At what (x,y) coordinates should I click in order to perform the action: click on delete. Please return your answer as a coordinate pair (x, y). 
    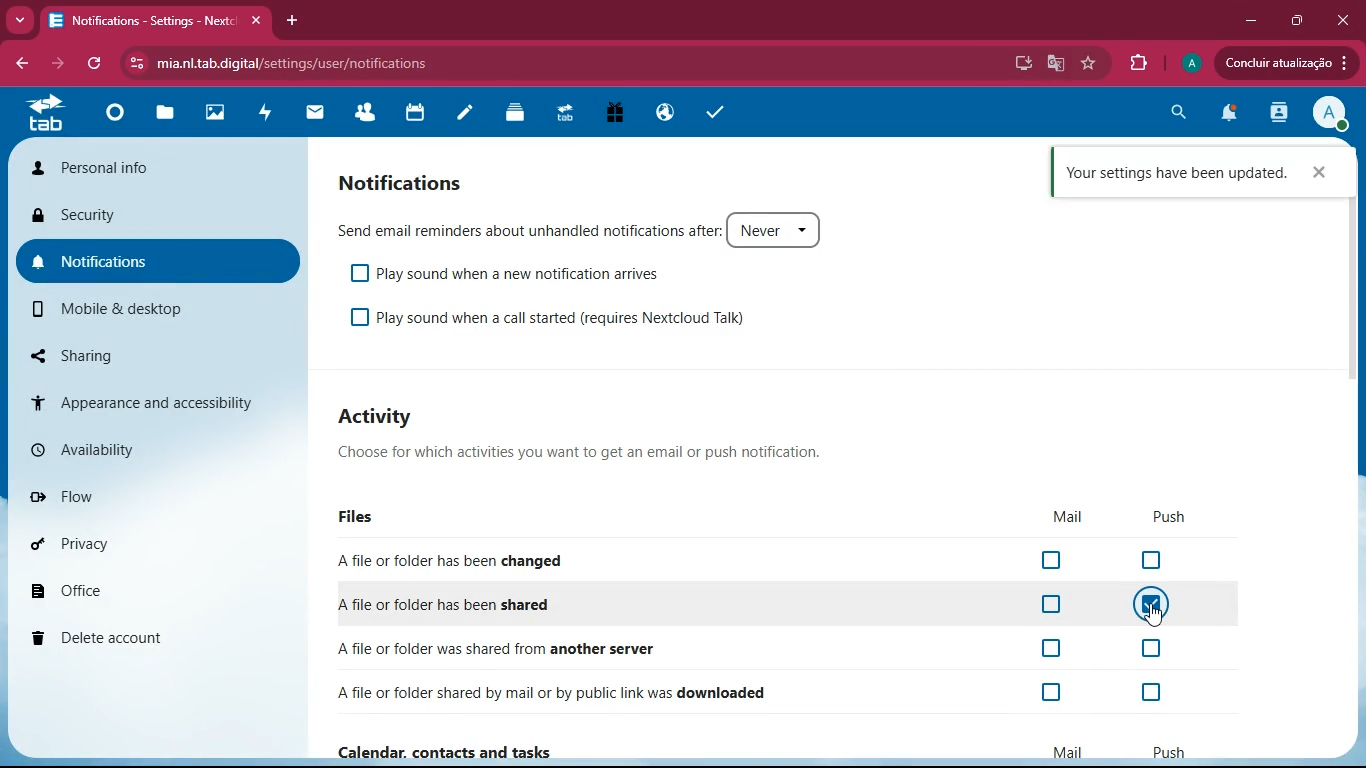
    Looking at the image, I should click on (144, 633).